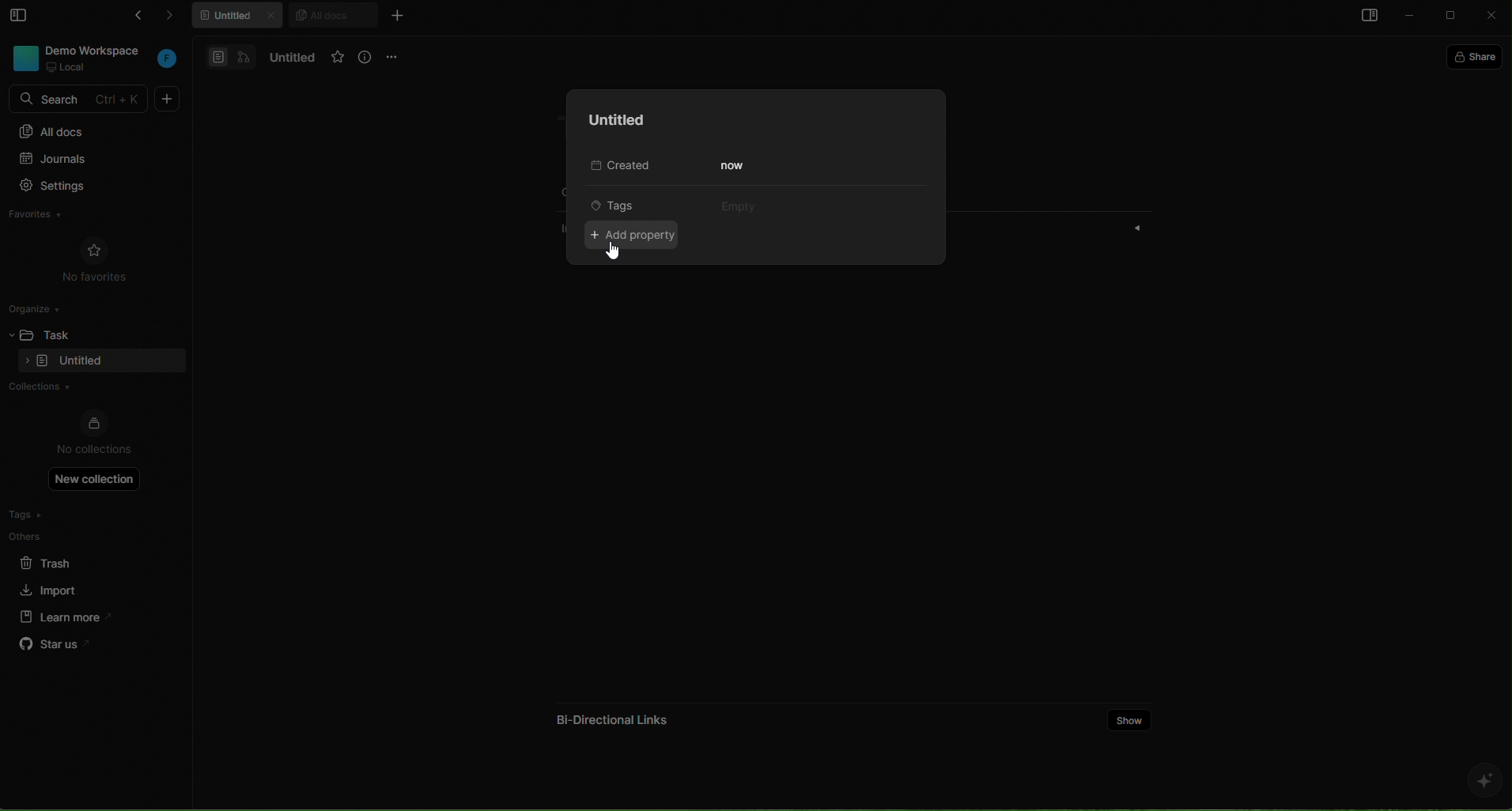 This screenshot has width=1512, height=811. I want to click on untitled, so click(240, 17).